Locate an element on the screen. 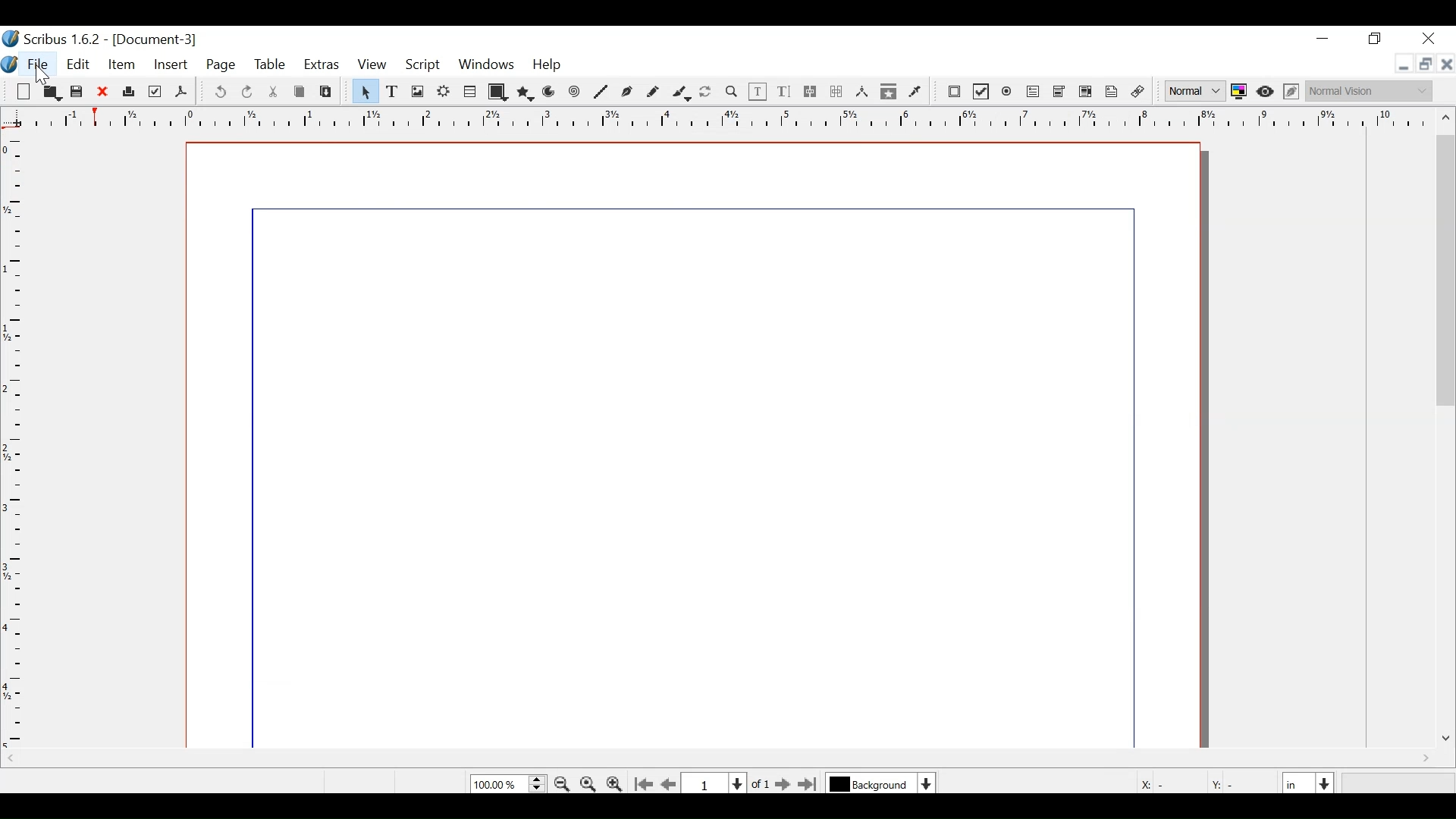  File is located at coordinates (37, 66).